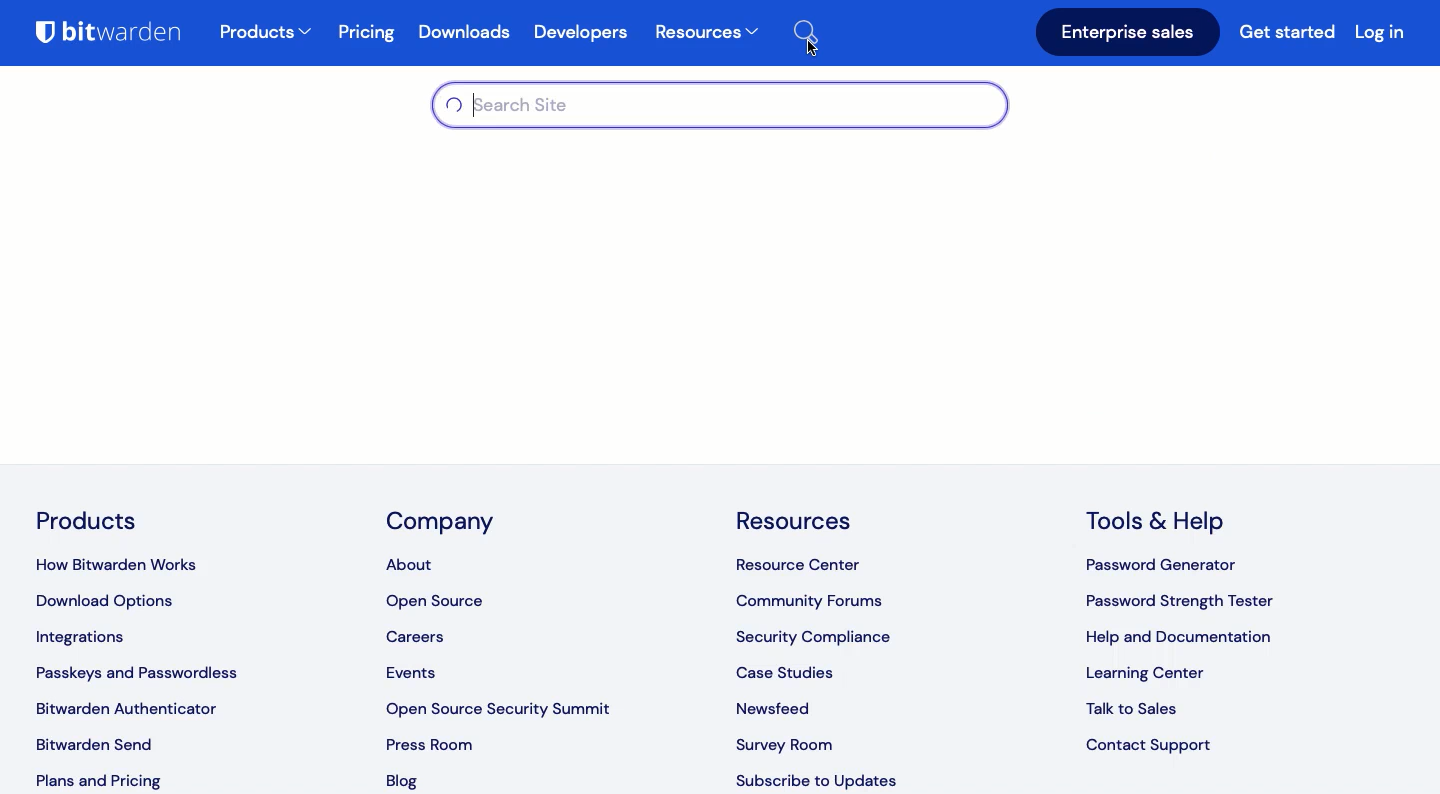 The height and width of the screenshot is (794, 1440). I want to click on tools and help, so click(1163, 521).